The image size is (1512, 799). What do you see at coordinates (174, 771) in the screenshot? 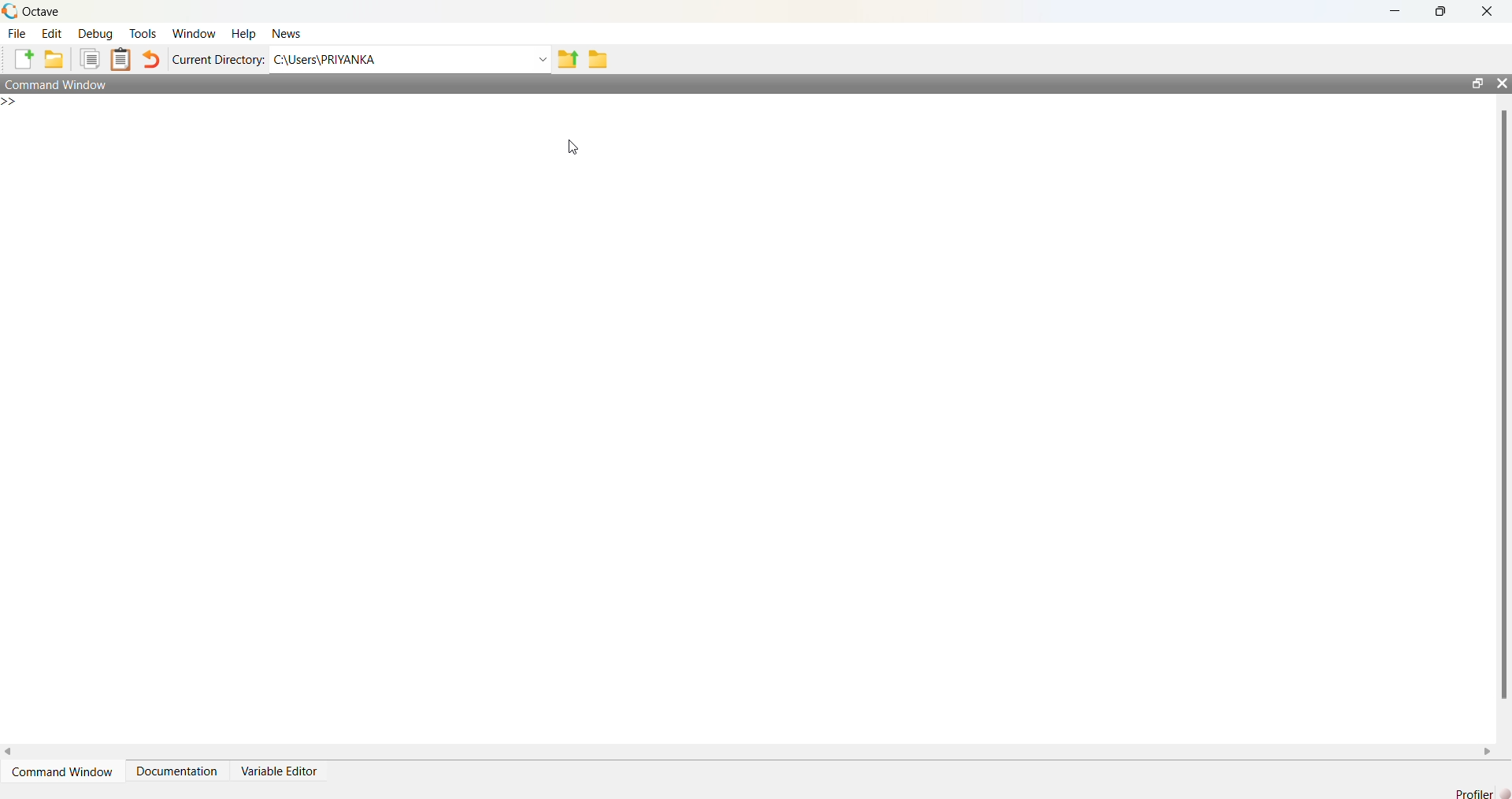
I see `Documentation` at bounding box center [174, 771].